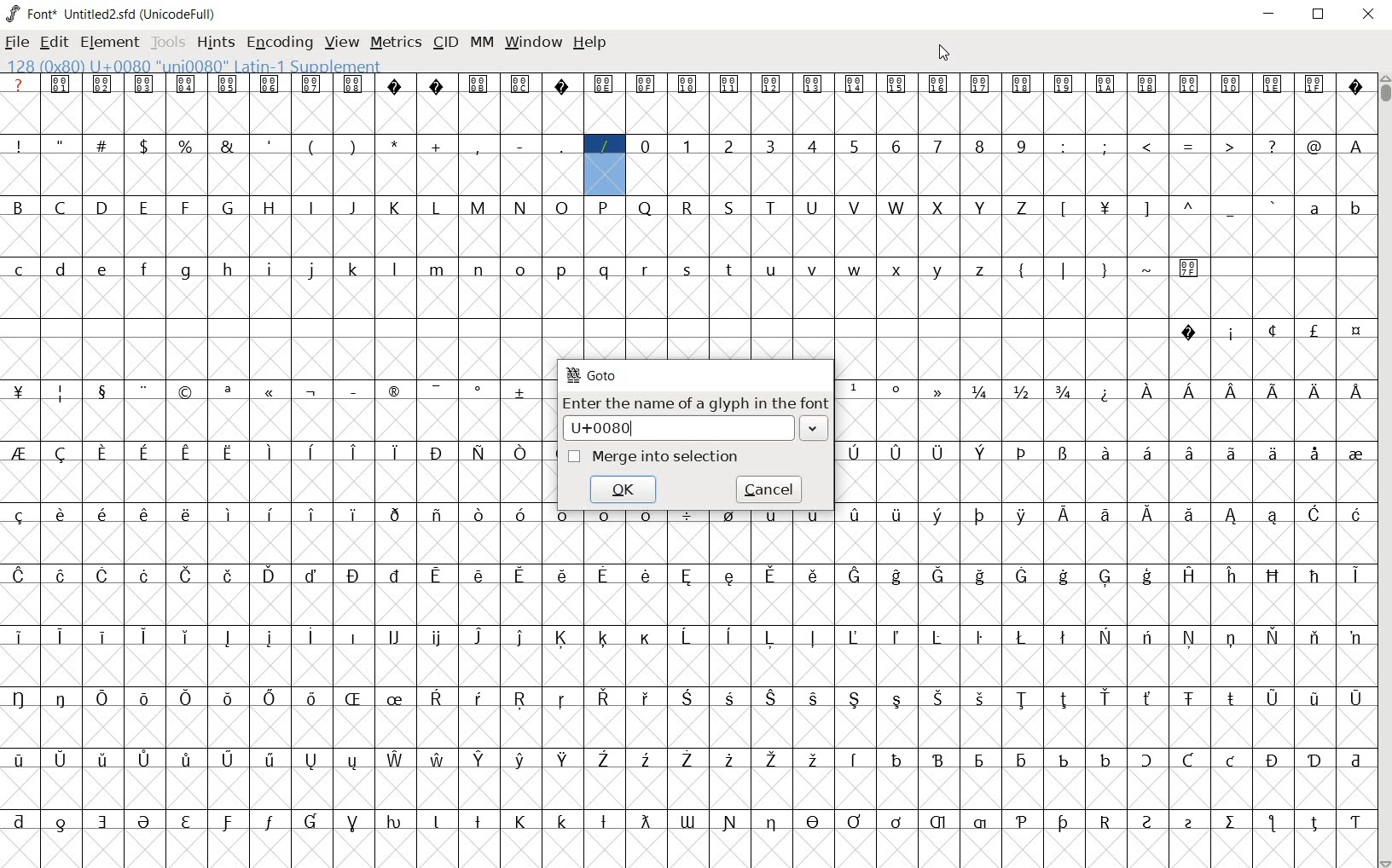 The width and height of the screenshot is (1392, 868). I want to click on glyph, so click(1314, 513).